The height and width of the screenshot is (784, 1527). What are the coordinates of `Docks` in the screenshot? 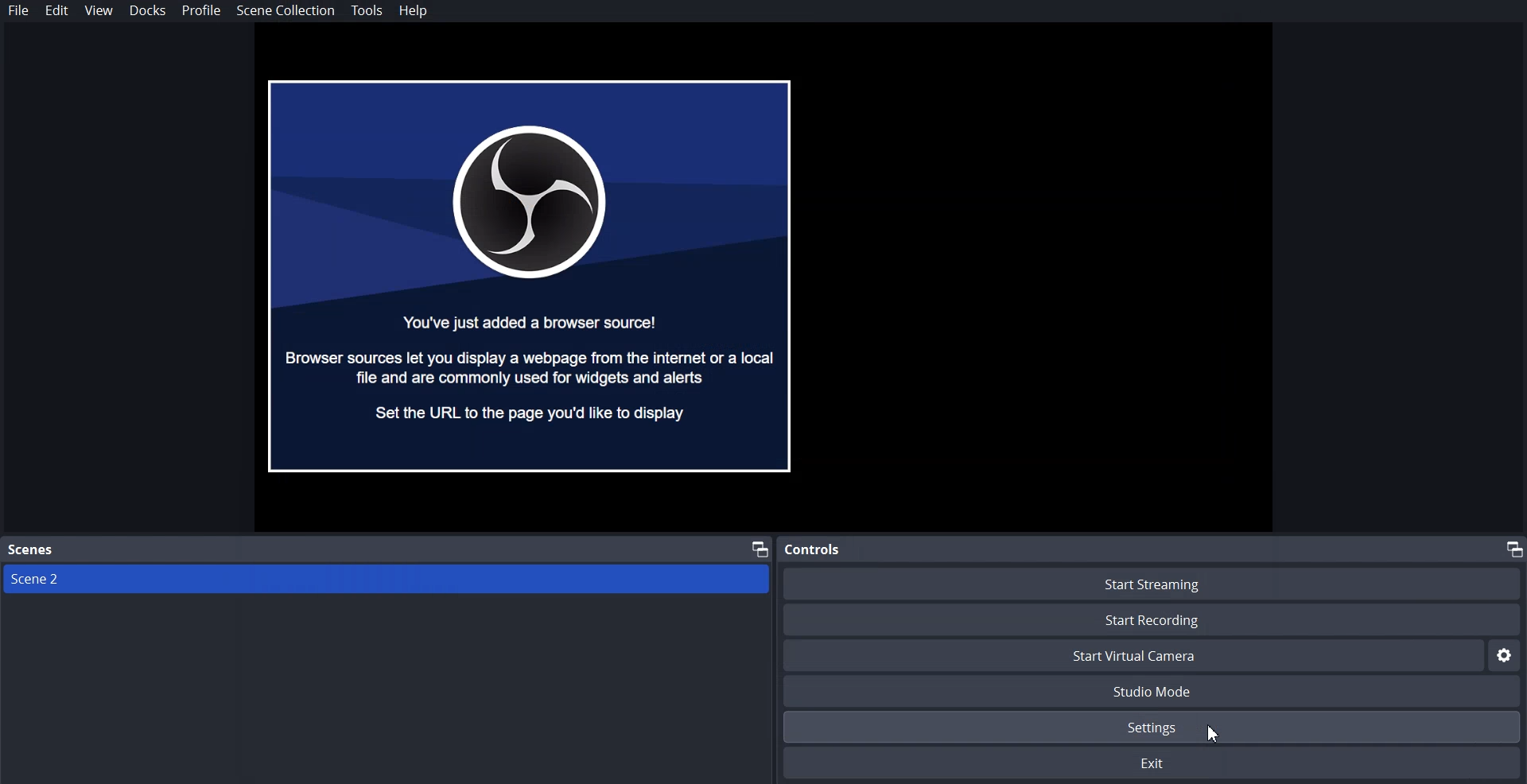 It's located at (147, 10).